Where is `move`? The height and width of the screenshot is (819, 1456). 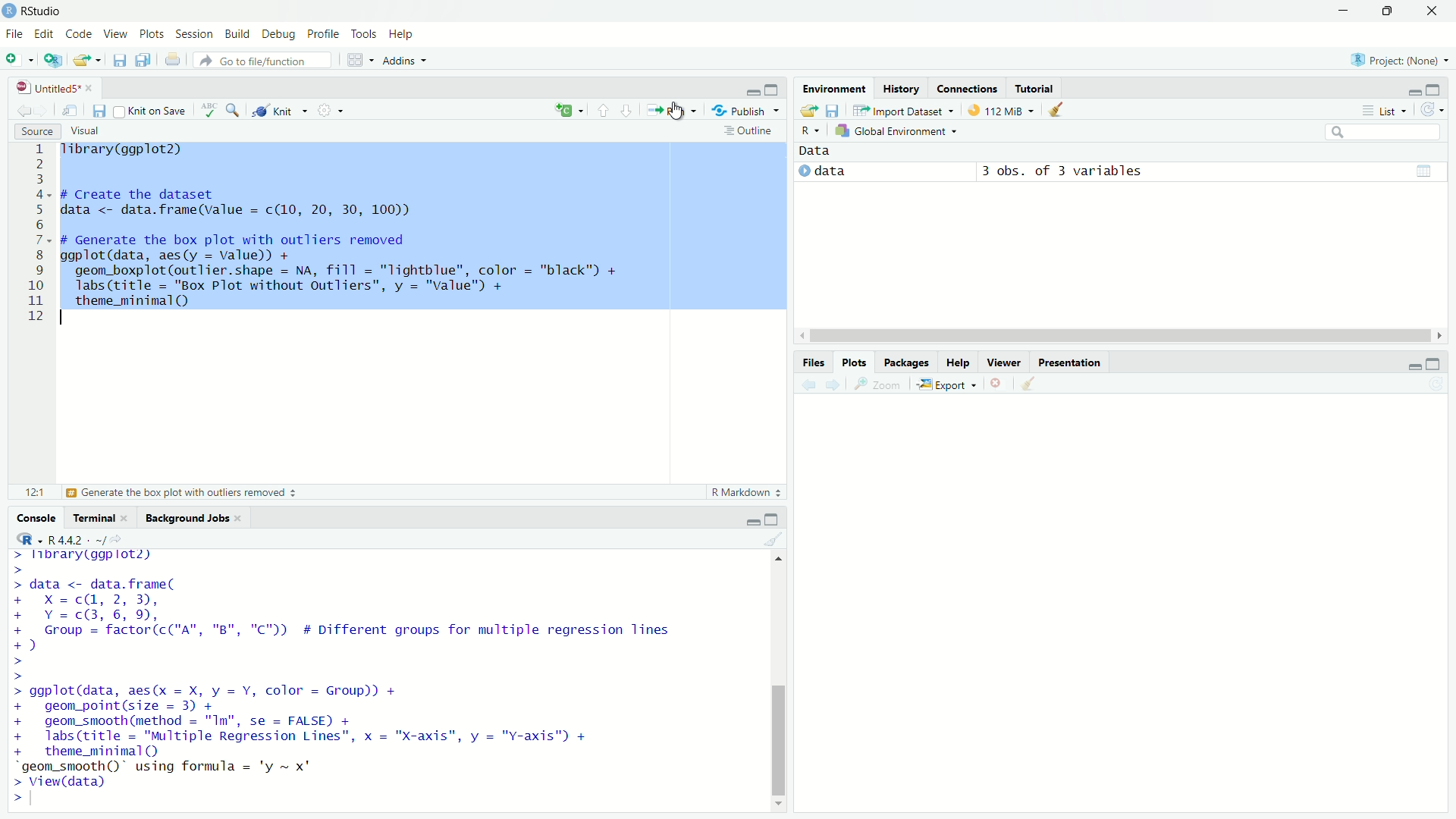 move is located at coordinates (71, 111).